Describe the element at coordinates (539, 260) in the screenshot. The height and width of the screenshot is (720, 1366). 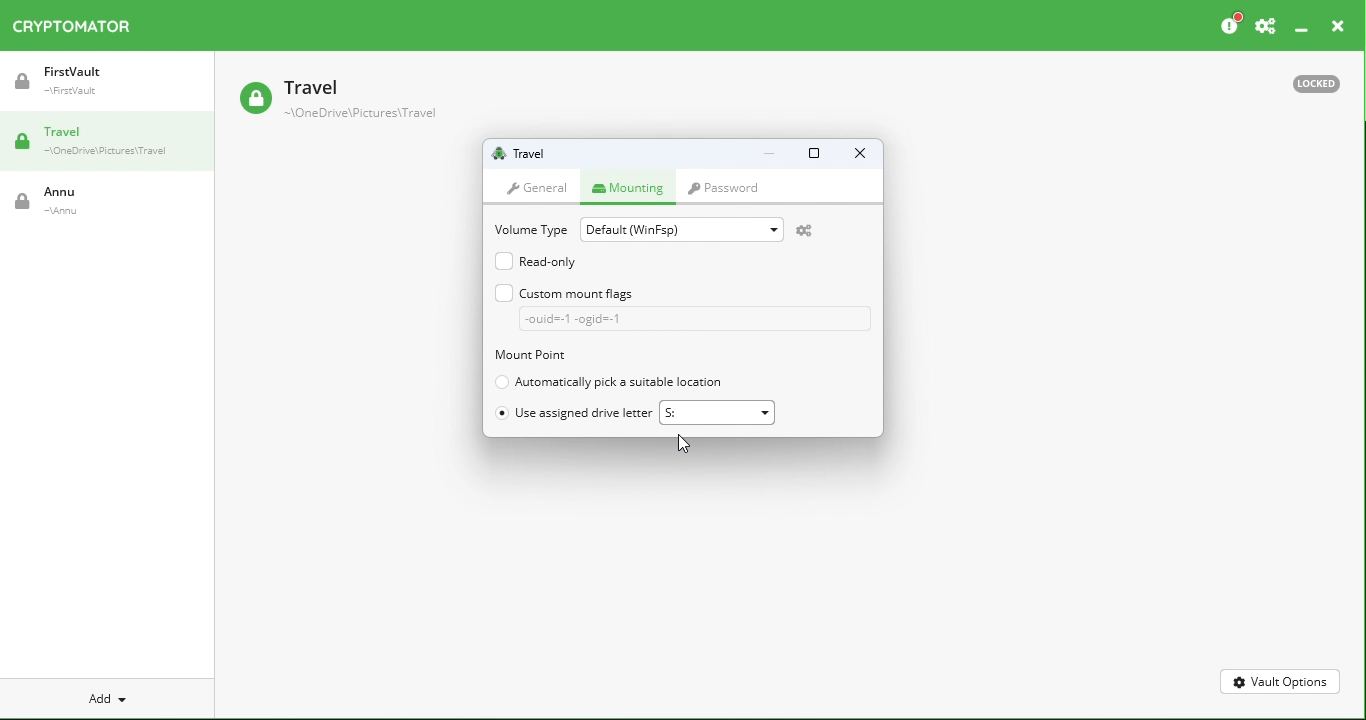
I see `Read only` at that location.